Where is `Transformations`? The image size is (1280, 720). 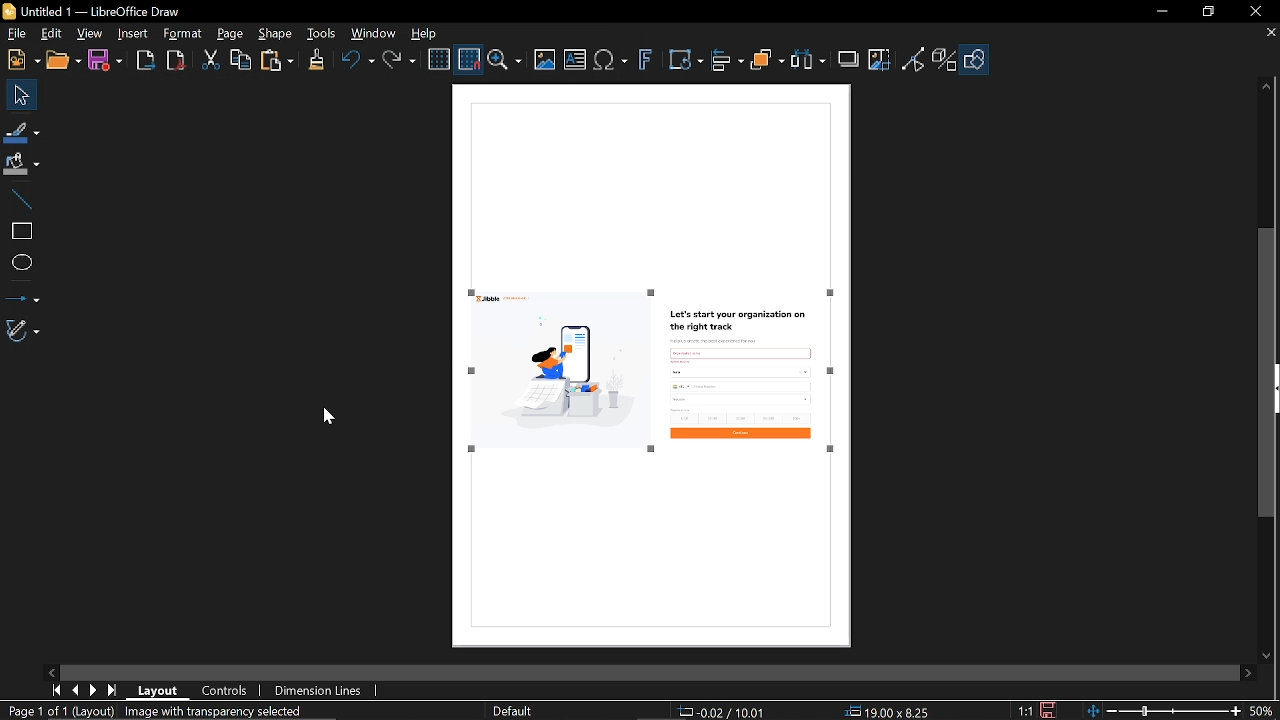
Transformations is located at coordinates (687, 62).